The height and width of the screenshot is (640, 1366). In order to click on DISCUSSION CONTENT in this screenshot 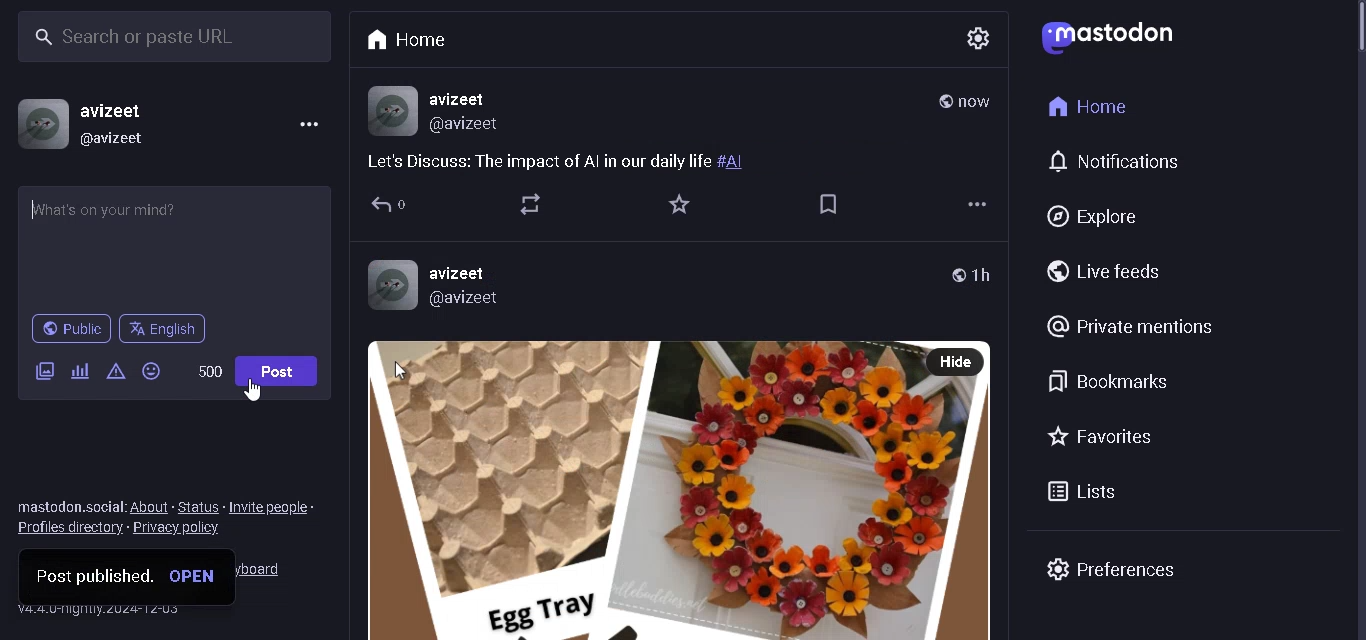, I will do `click(173, 219)`.